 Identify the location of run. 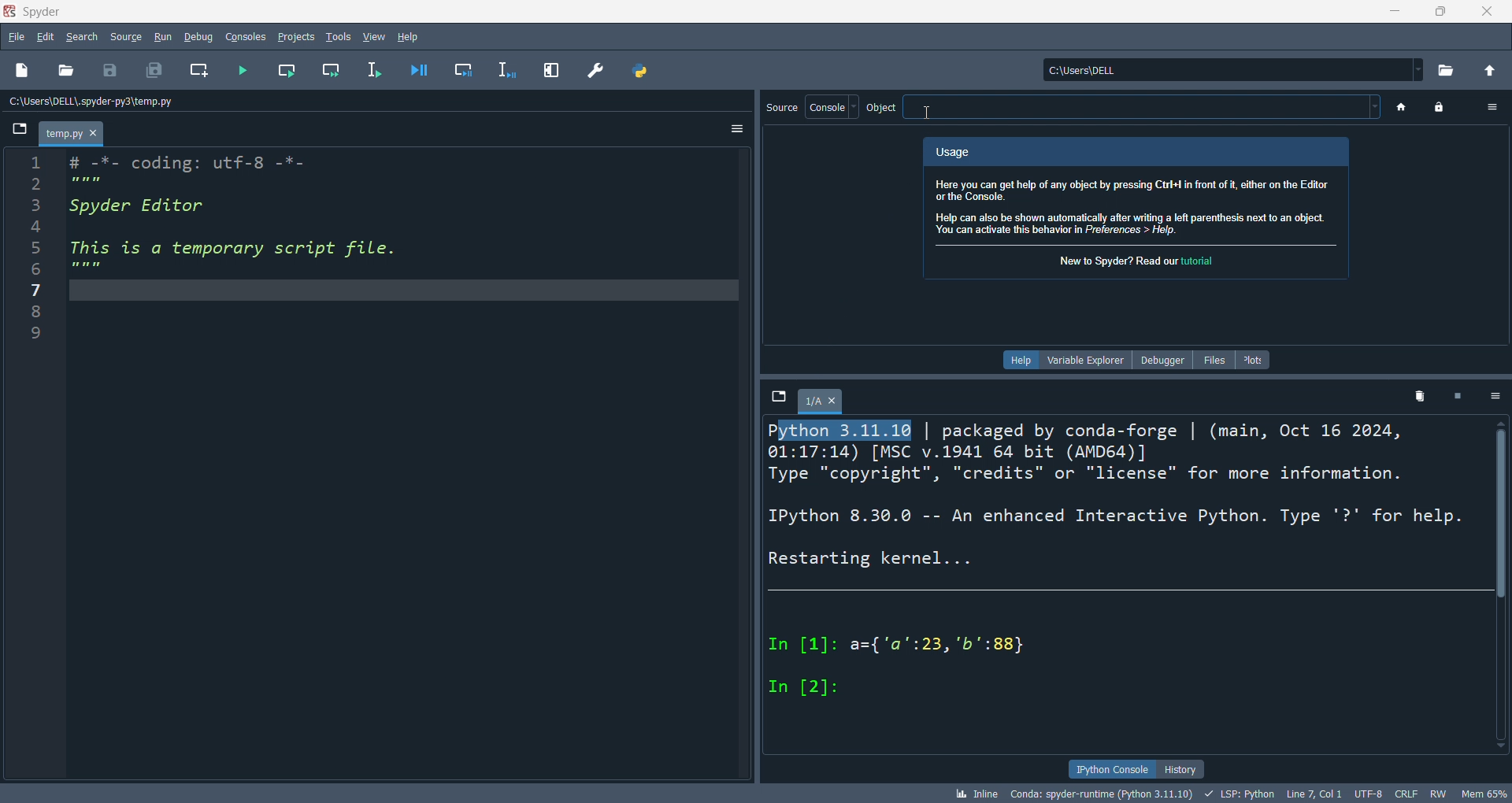
(243, 68).